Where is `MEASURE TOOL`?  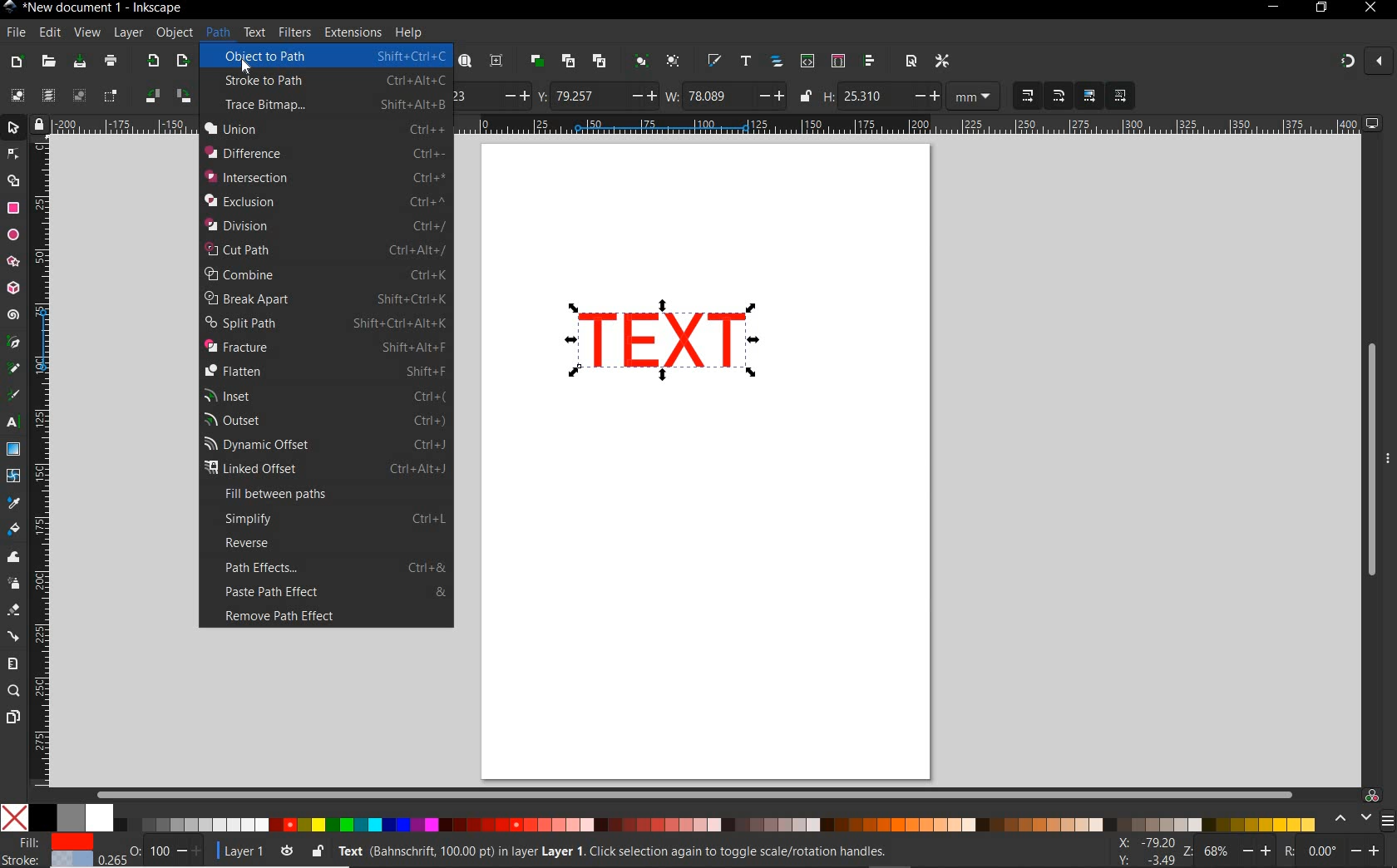 MEASURE TOOL is located at coordinates (12, 663).